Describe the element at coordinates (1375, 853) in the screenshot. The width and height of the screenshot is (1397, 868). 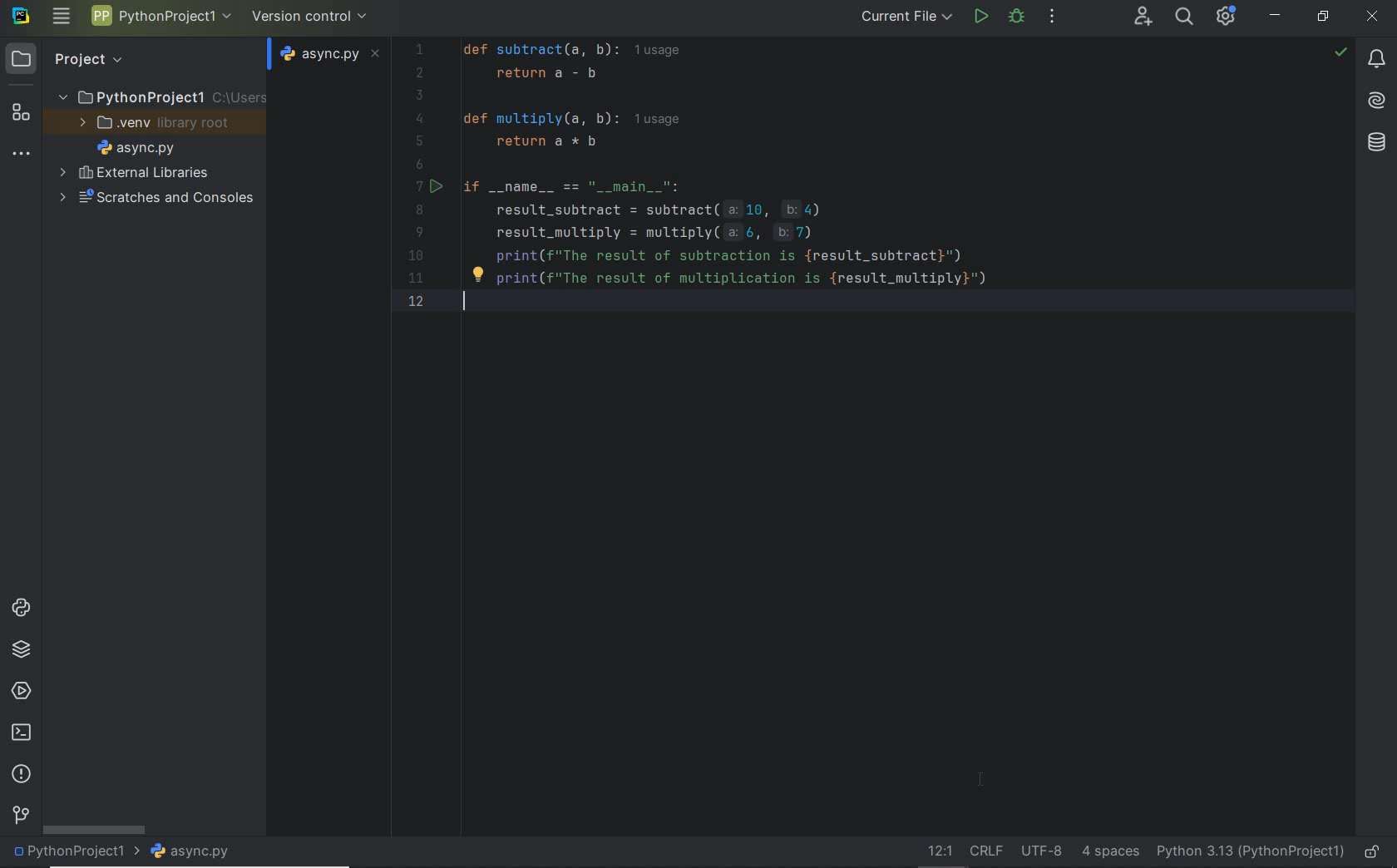
I see `make file ready only` at that location.